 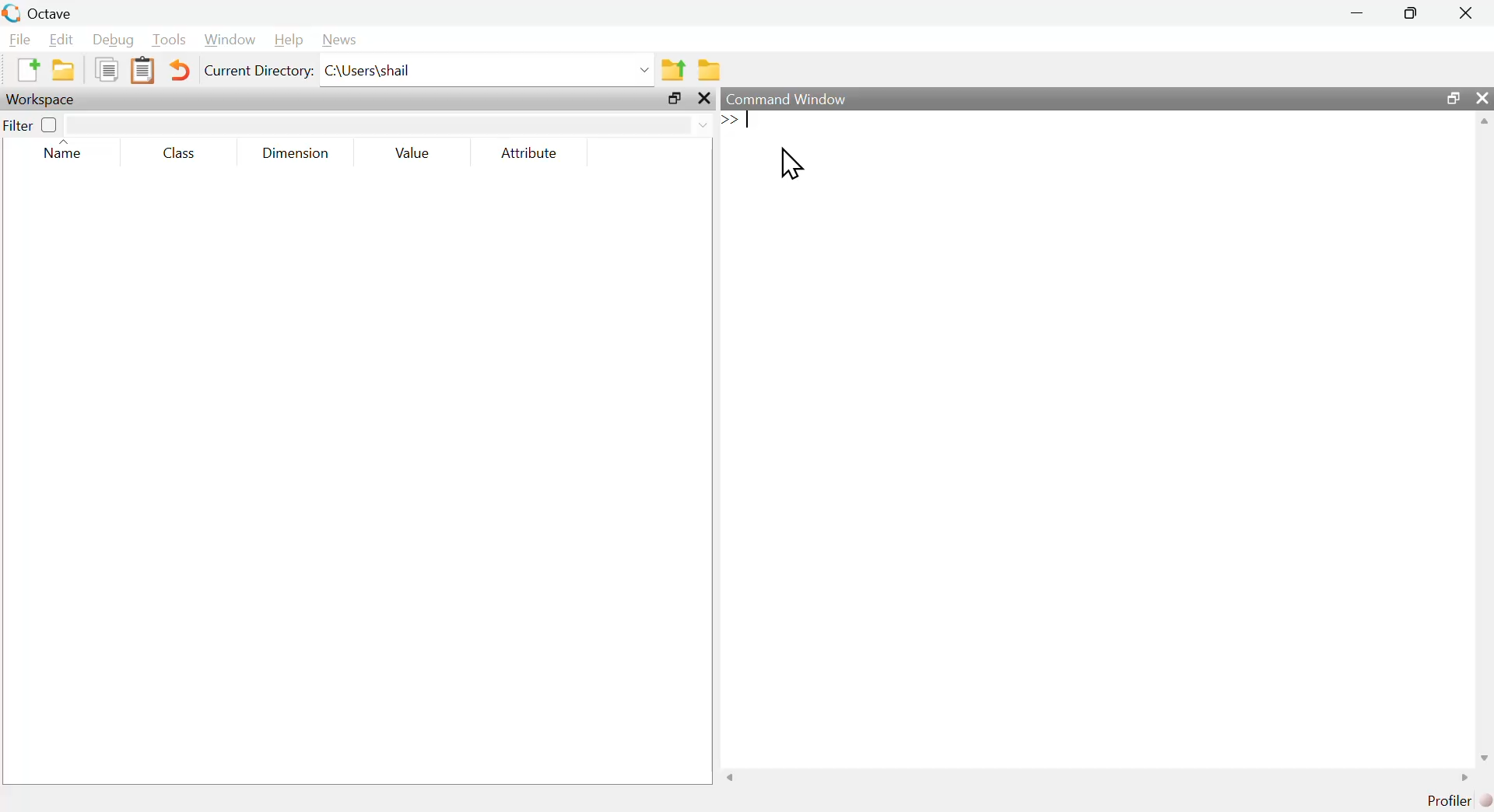 What do you see at coordinates (707, 99) in the screenshot?
I see `close` at bounding box center [707, 99].